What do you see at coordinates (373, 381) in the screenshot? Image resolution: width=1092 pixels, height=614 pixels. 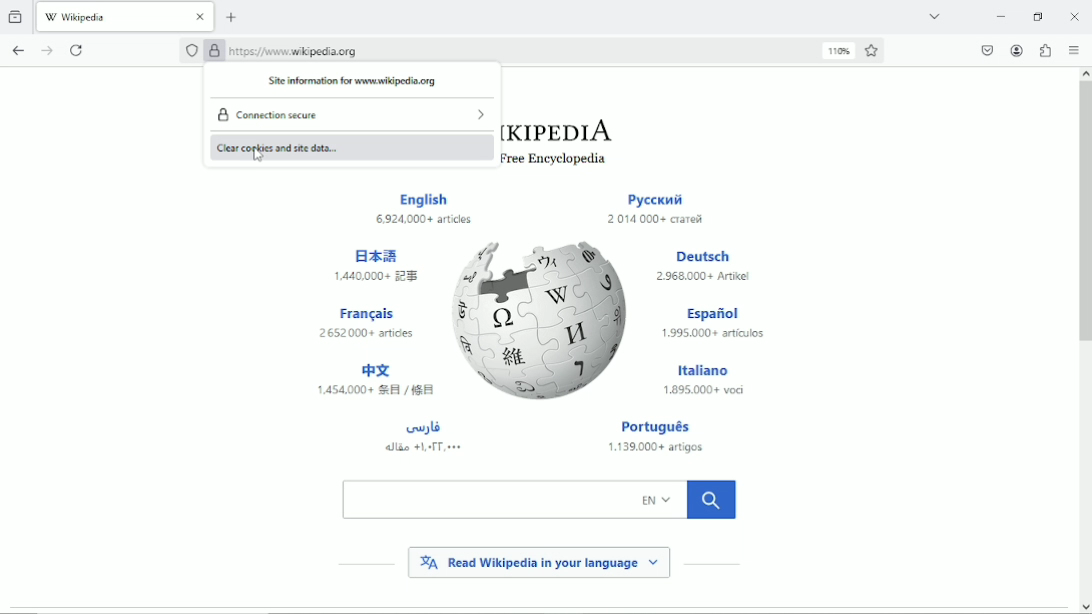 I see `foreign language` at bounding box center [373, 381].